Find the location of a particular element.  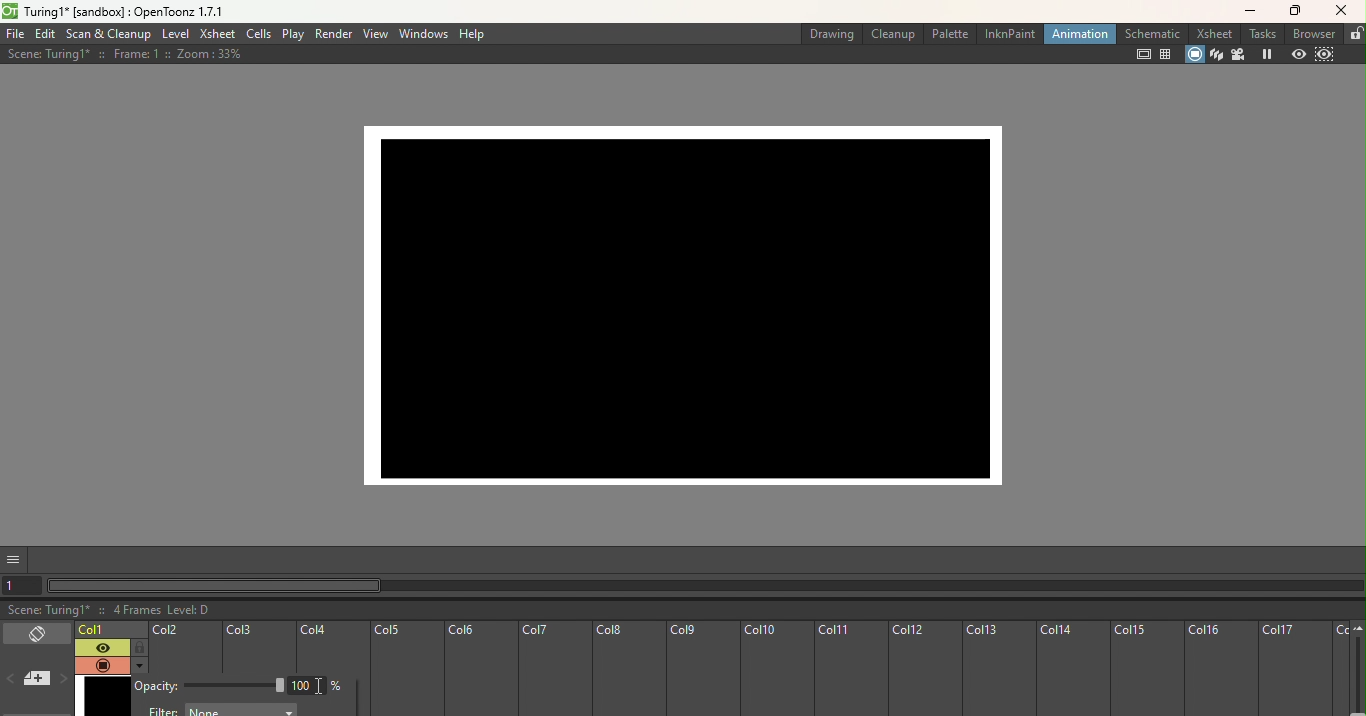

opentoonz logo is located at coordinates (12, 10).